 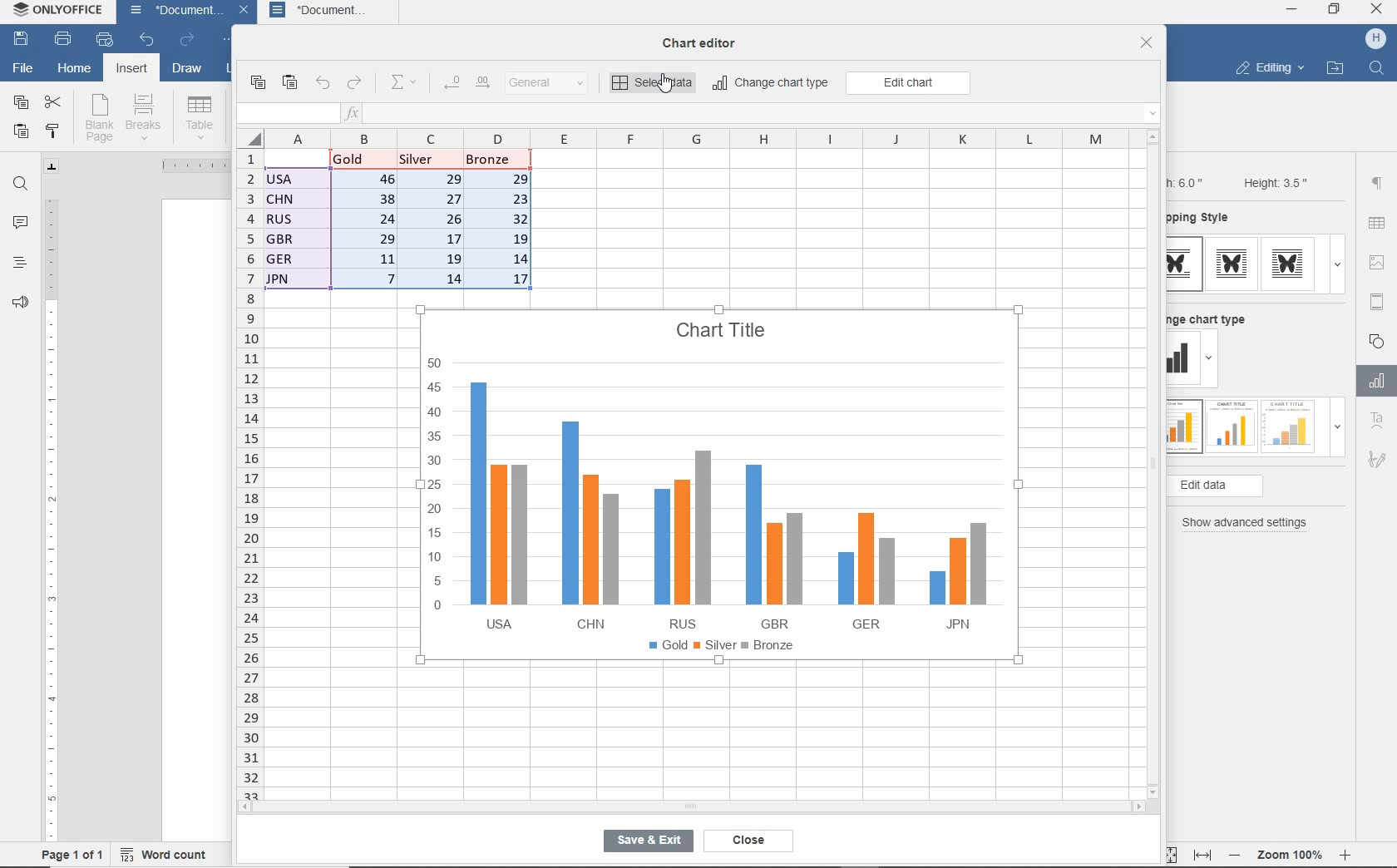 What do you see at coordinates (1292, 264) in the screenshot?
I see `type 3` at bounding box center [1292, 264].